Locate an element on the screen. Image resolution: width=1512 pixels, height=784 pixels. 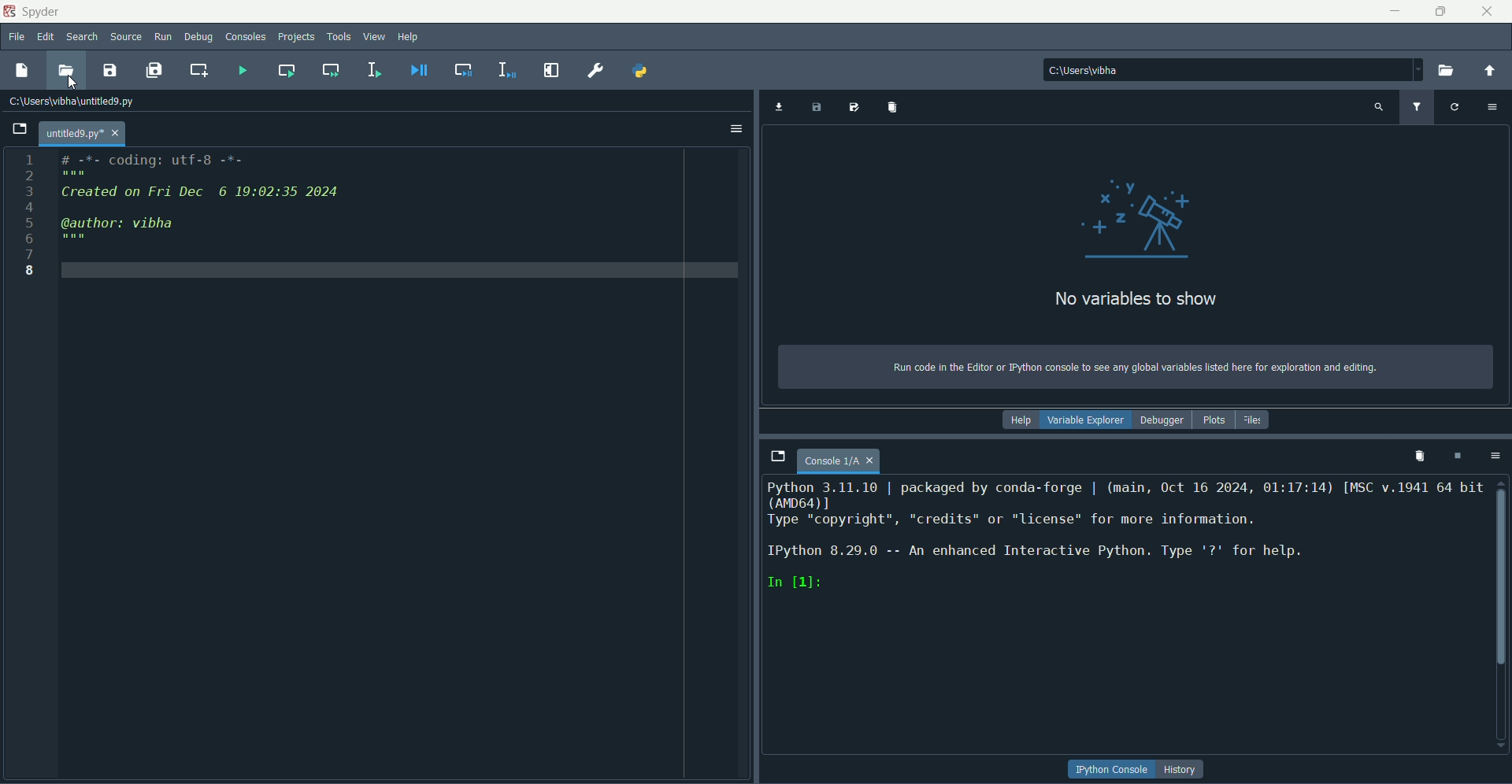
Open file is located at coordinates (20, 131).